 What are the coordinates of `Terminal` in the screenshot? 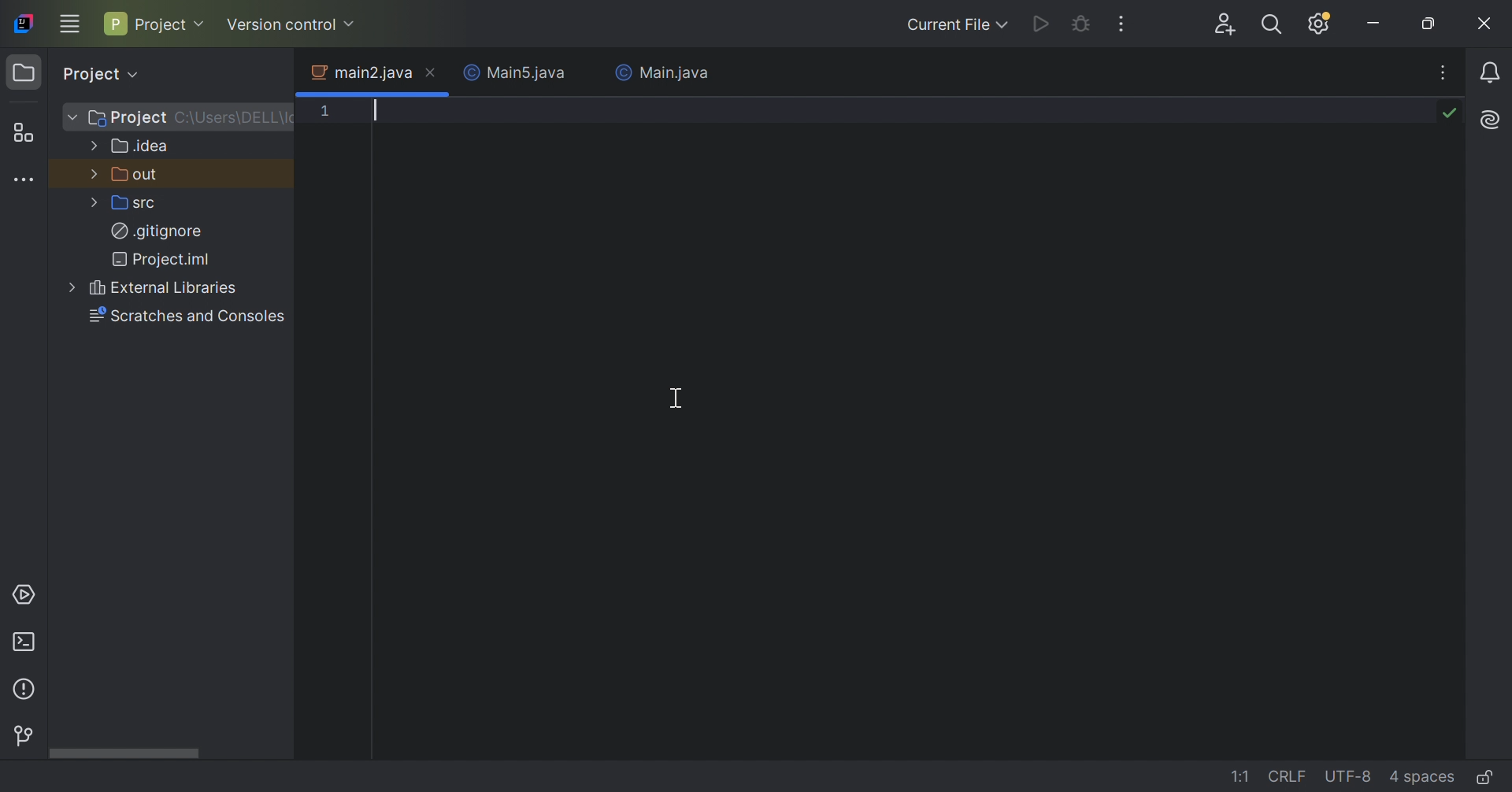 It's located at (27, 642).